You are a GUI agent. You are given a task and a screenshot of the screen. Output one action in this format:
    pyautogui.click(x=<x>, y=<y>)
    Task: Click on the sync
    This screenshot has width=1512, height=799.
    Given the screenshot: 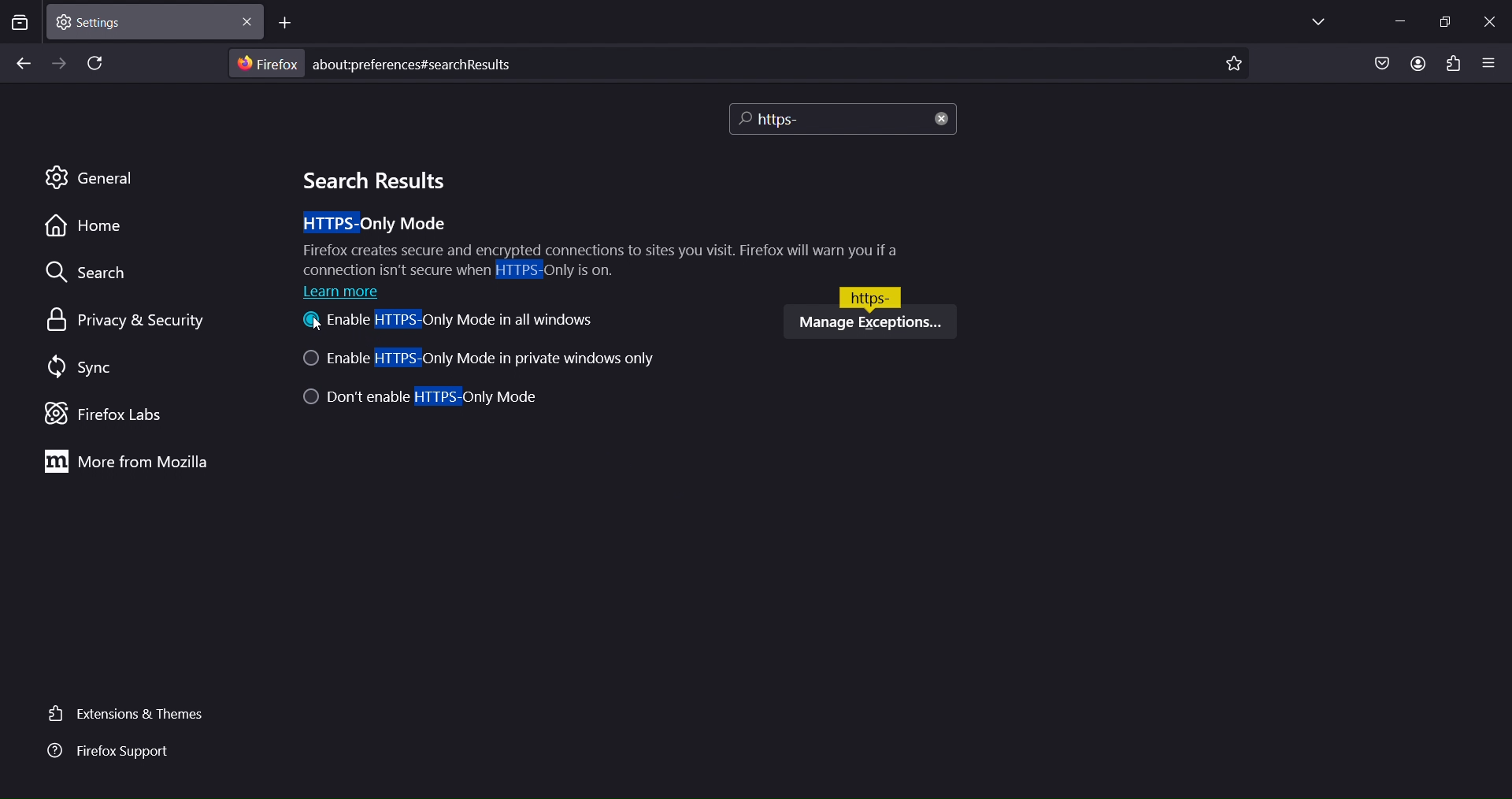 What is the action you would take?
    pyautogui.click(x=78, y=368)
    